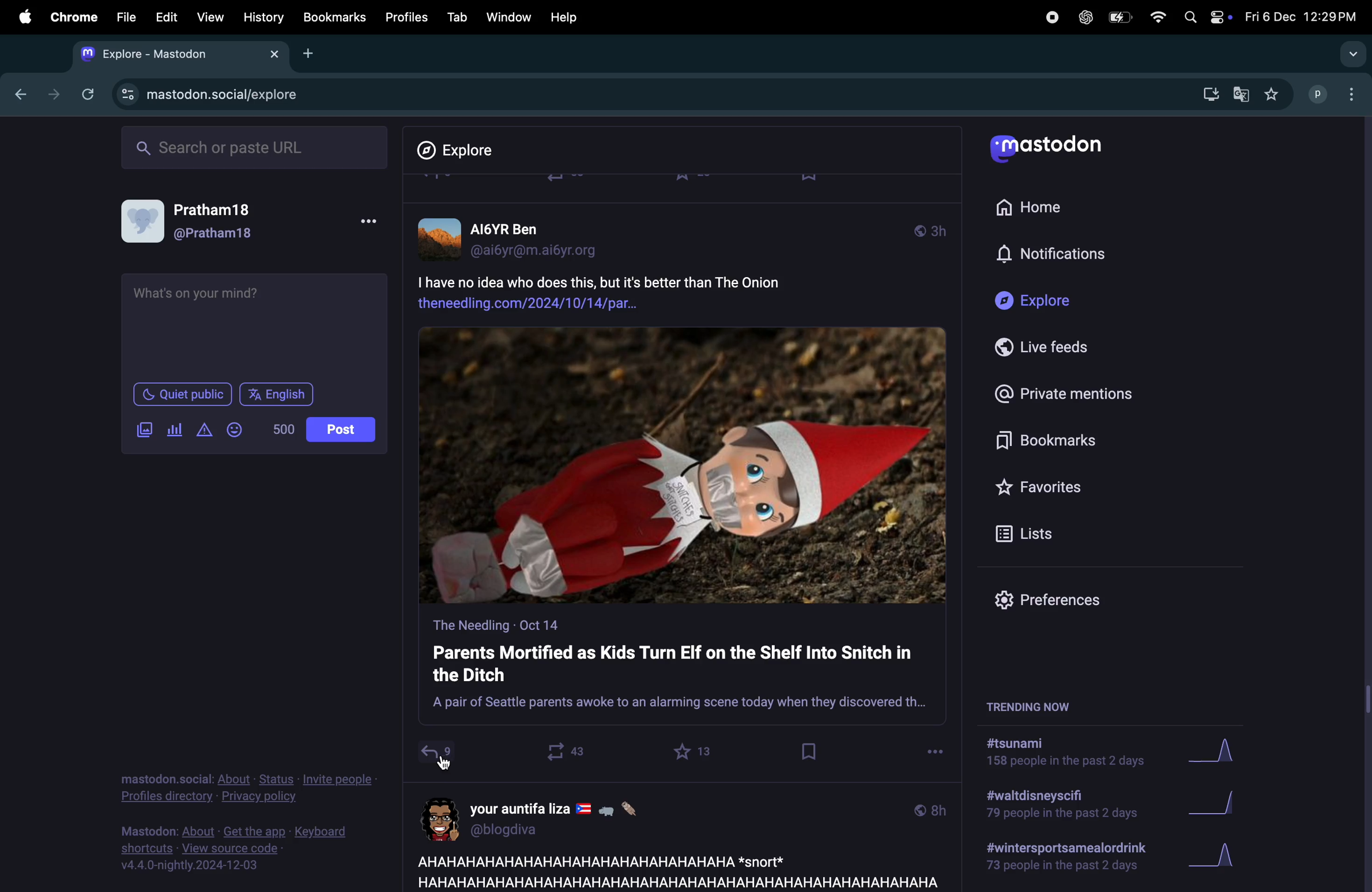  Describe the element at coordinates (20, 16) in the screenshot. I see `apple menu` at that location.